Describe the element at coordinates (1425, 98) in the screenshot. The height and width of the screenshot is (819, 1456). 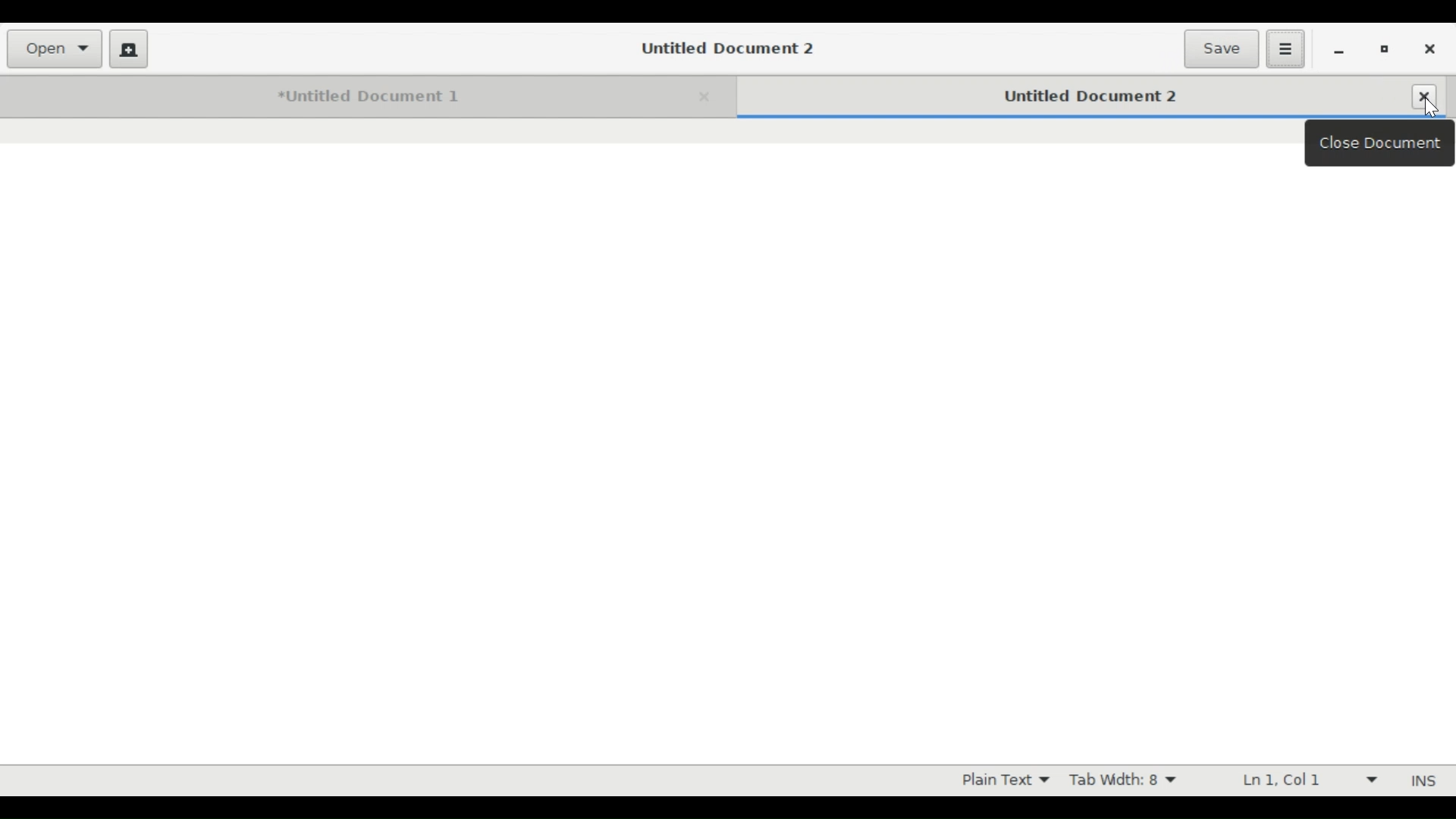
I see `Close` at that location.